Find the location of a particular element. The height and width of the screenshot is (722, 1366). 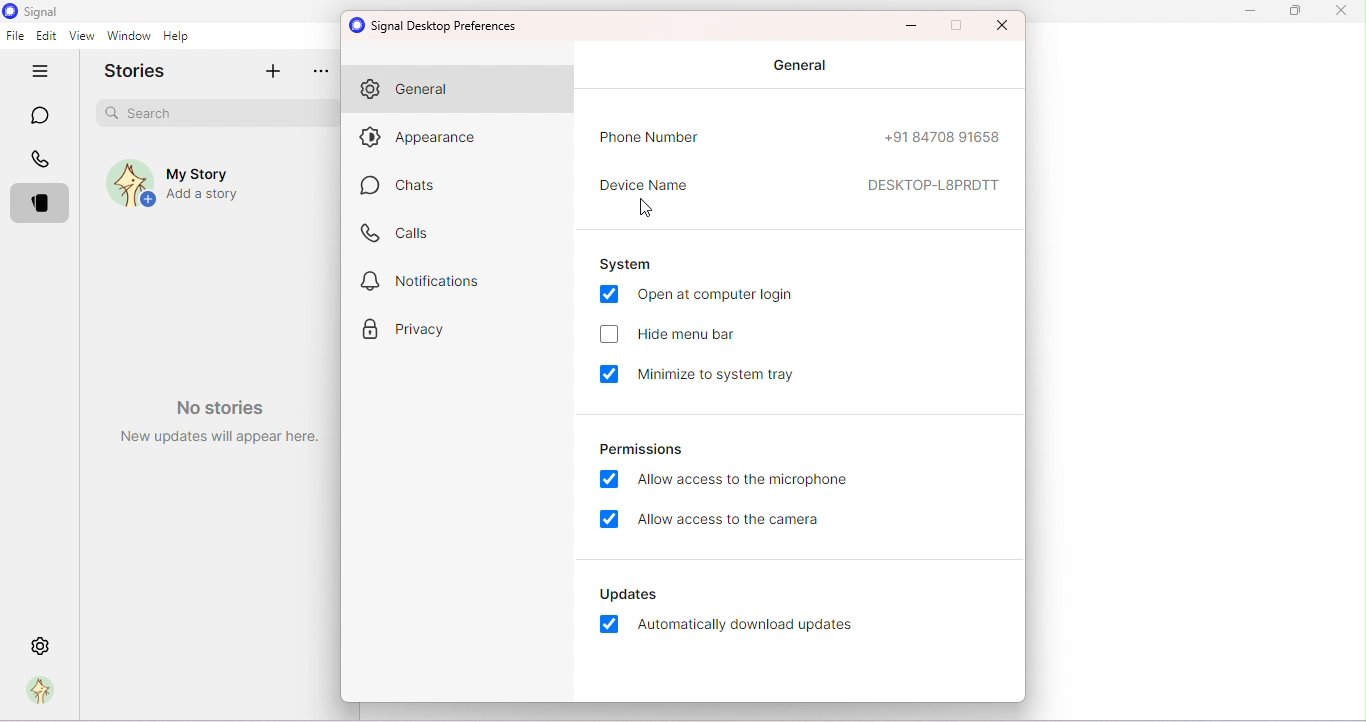

Hide is located at coordinates (44, 75).